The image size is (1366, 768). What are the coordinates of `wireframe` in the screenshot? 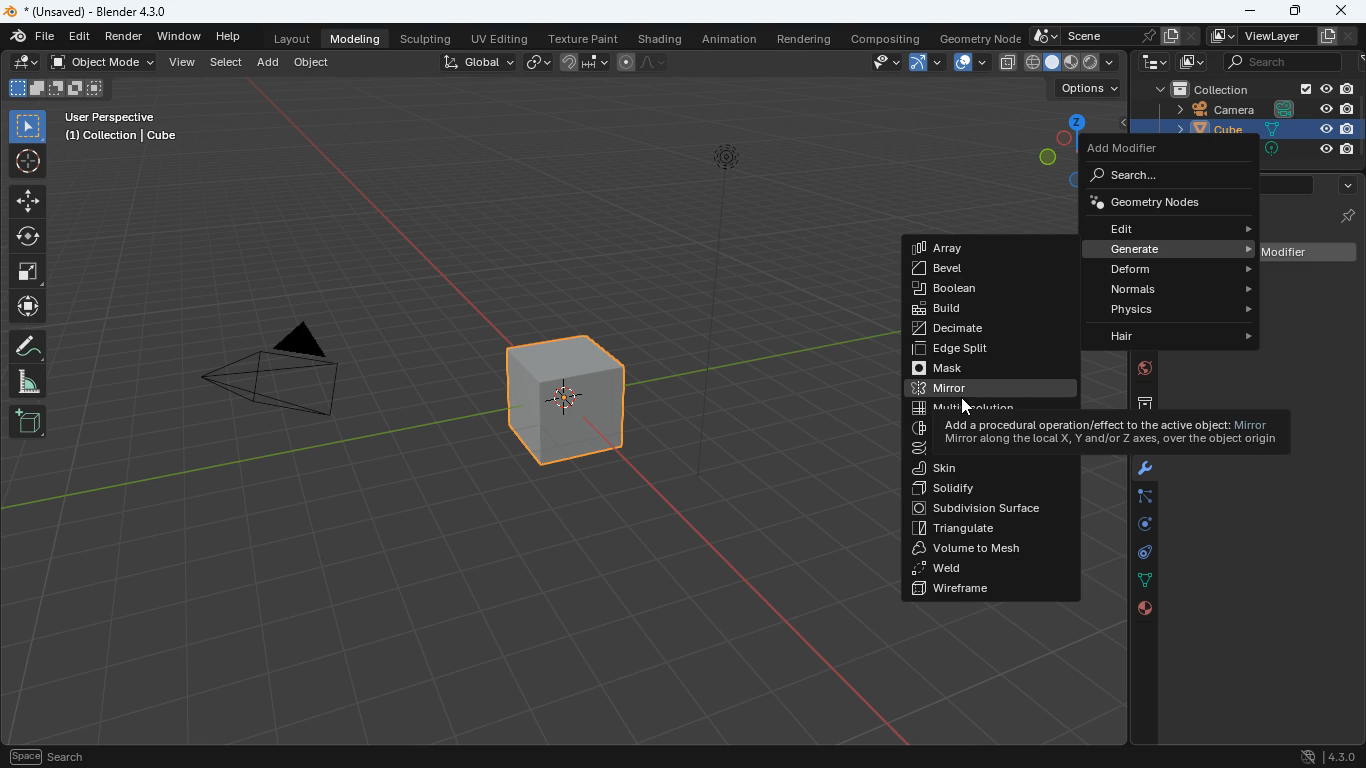 It's located at (981, 590).